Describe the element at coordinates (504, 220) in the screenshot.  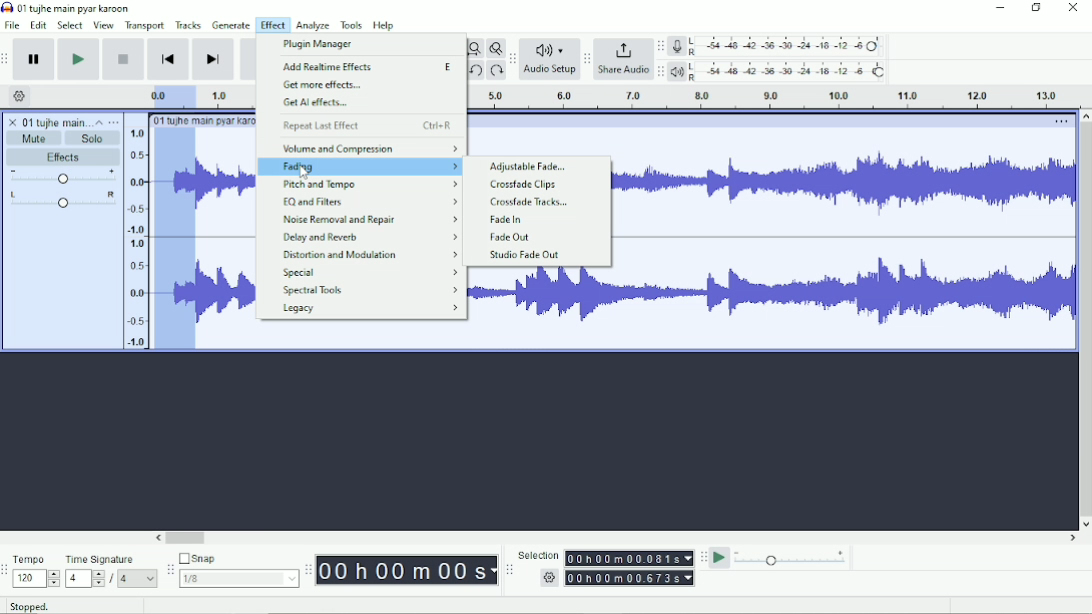
I see `Fade In` at that location.